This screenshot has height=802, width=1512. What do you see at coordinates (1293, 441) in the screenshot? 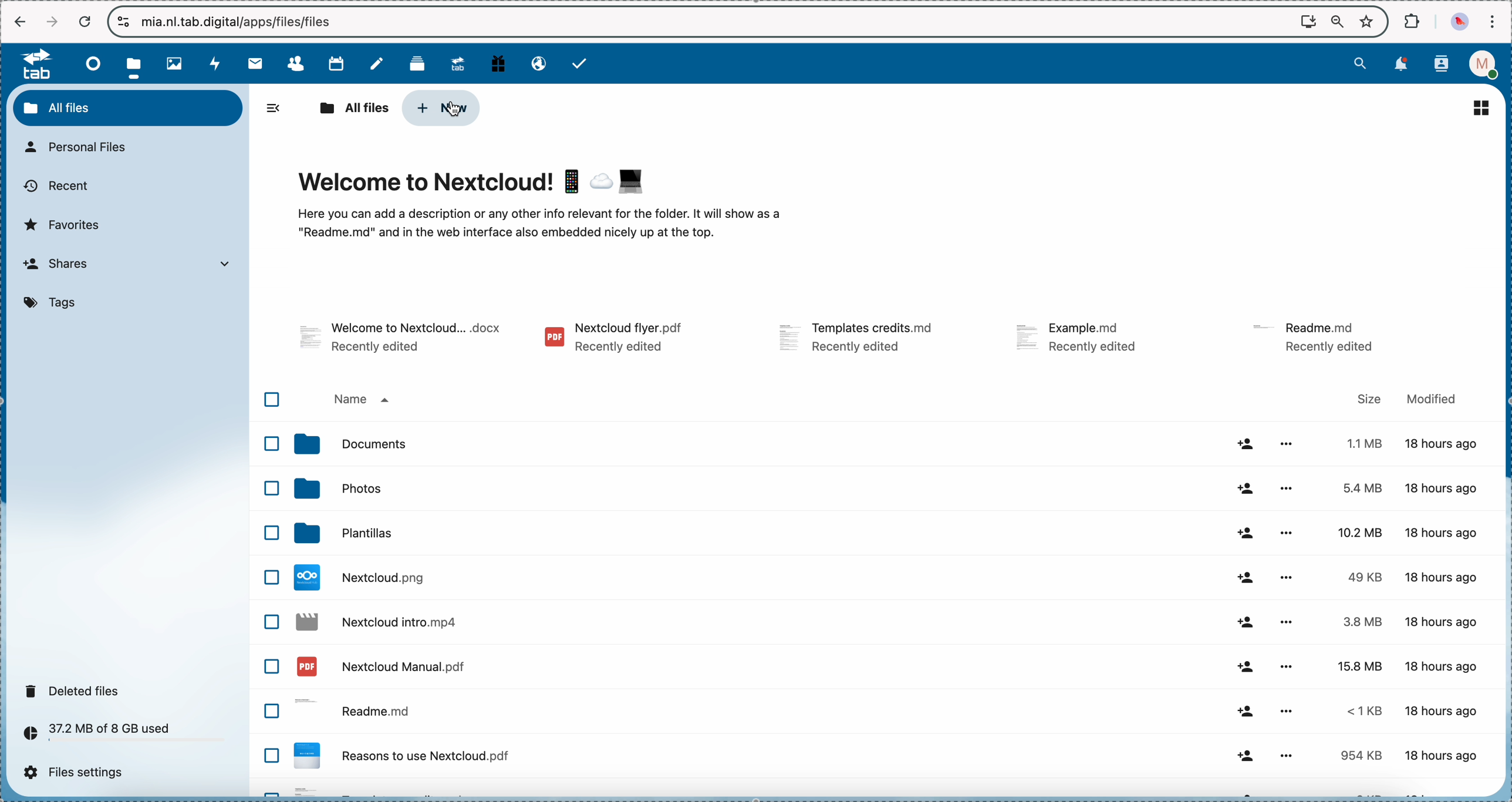
I see `more options` at bounding box center [1293, 441].